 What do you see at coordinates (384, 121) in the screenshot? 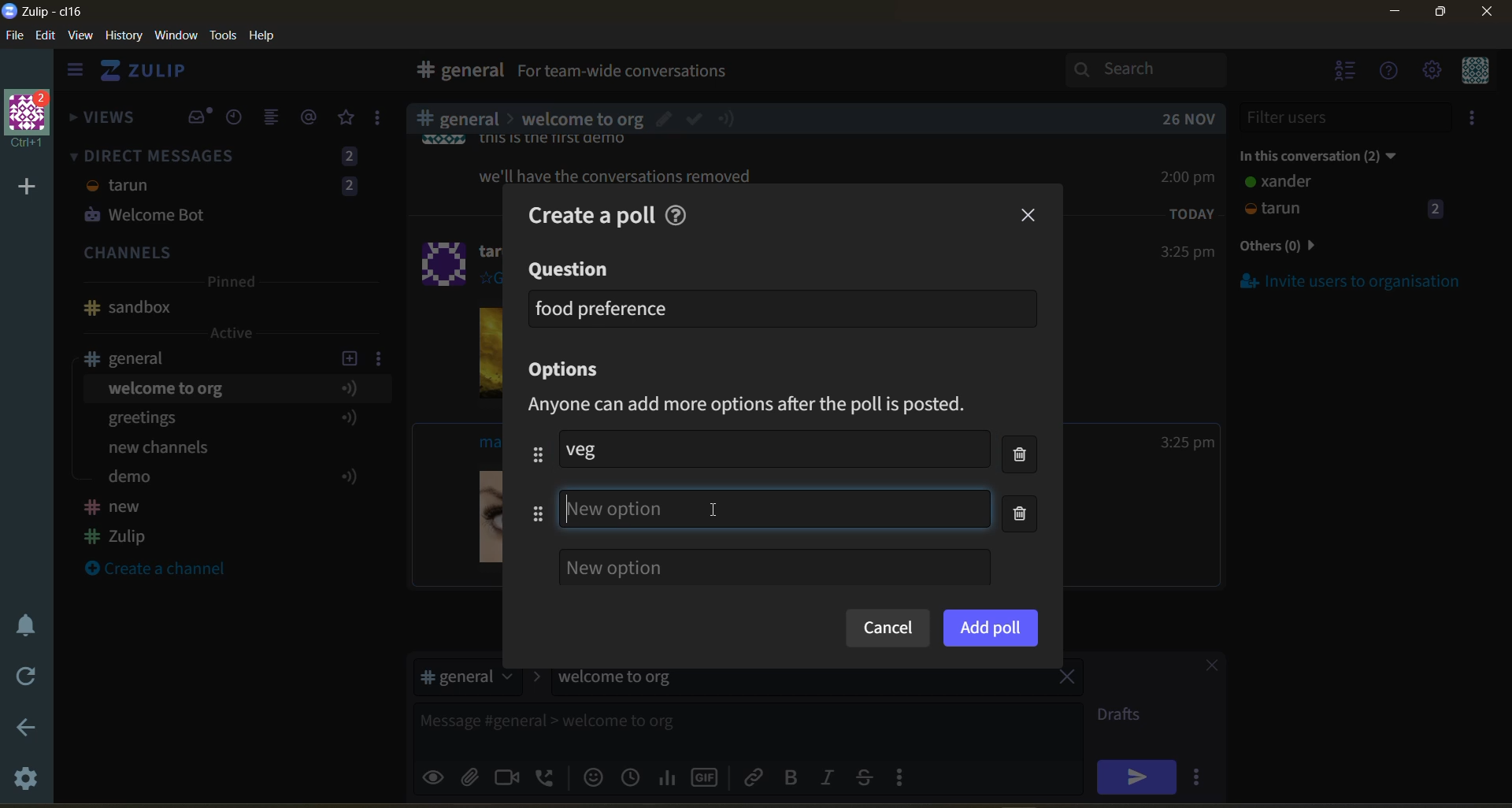
I see `reactions and drafts` at bounding box center [384, 121].